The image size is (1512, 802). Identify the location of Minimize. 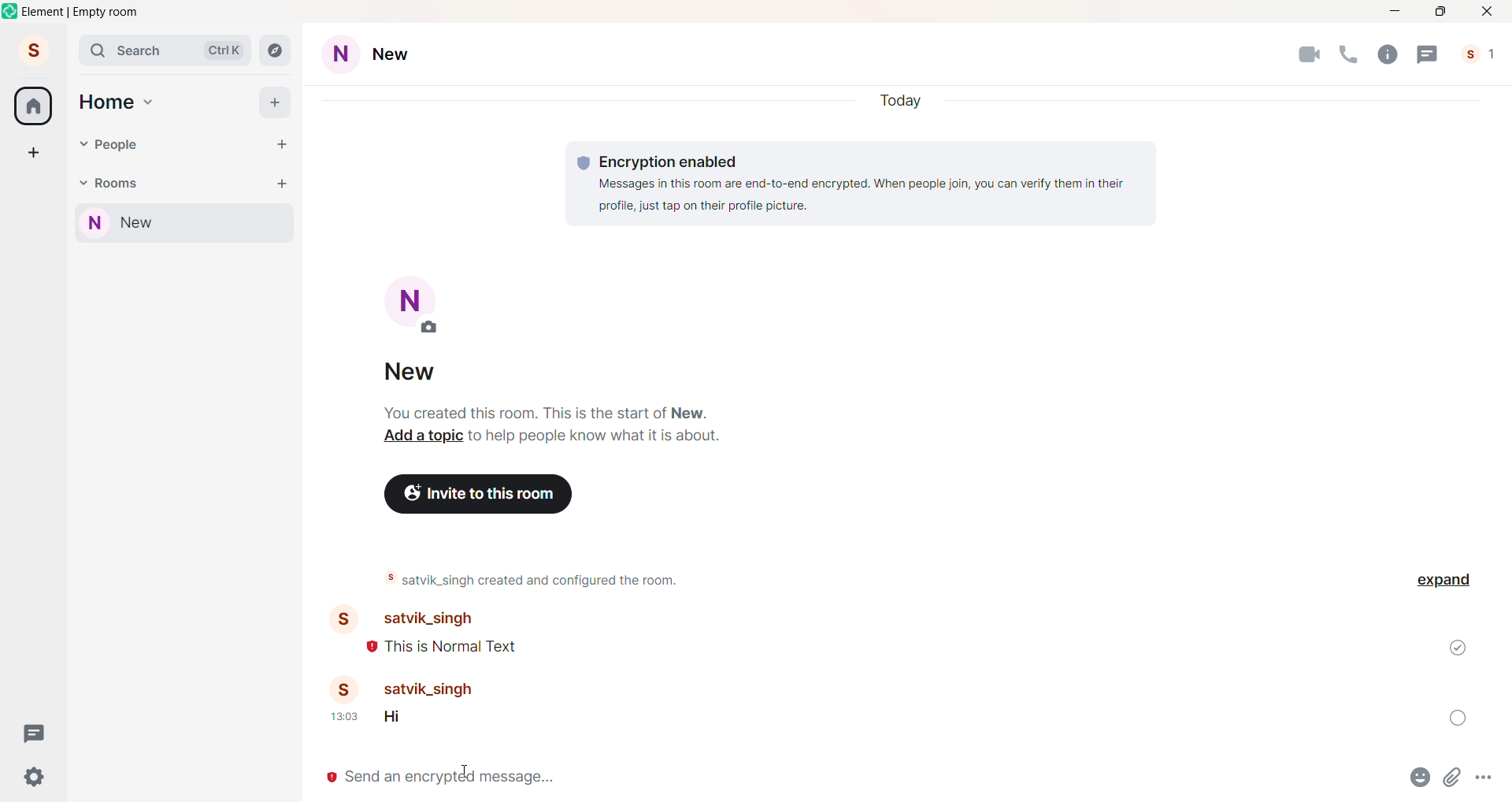
(1392, 12).